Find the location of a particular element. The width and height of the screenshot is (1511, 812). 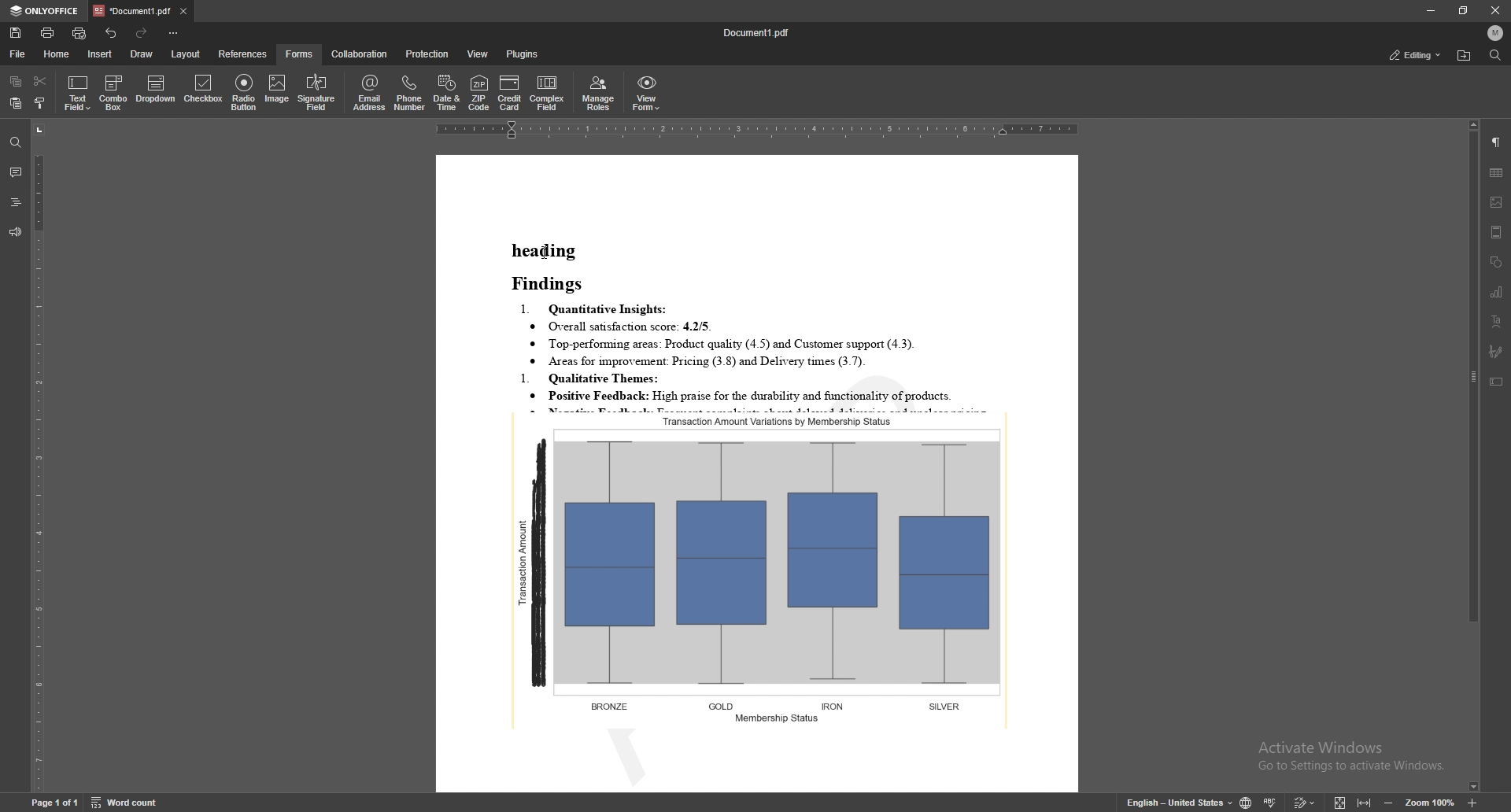

collaboration is located at coordinates (361, 53).